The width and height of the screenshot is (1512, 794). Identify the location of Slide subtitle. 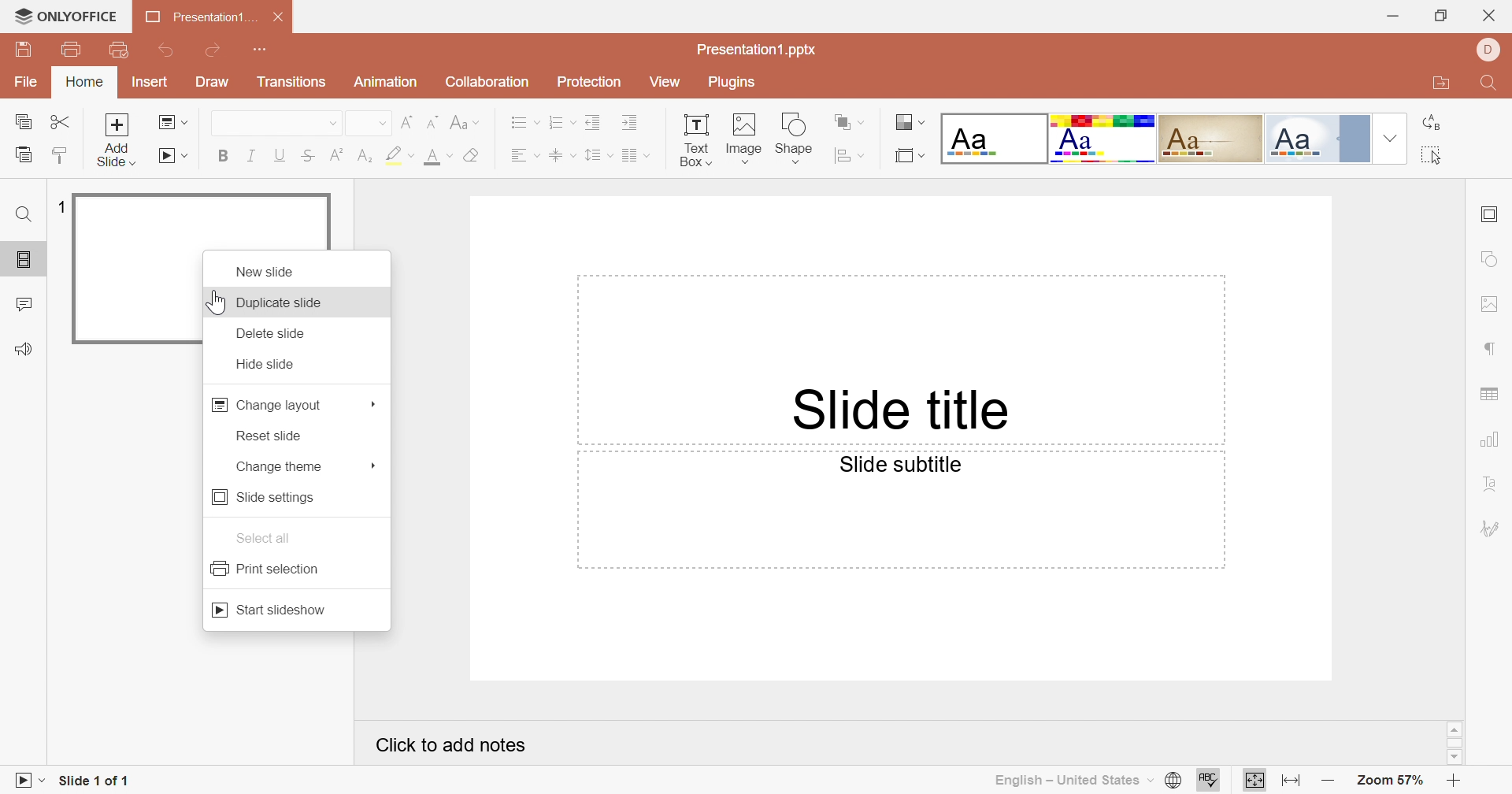
(897, 465).